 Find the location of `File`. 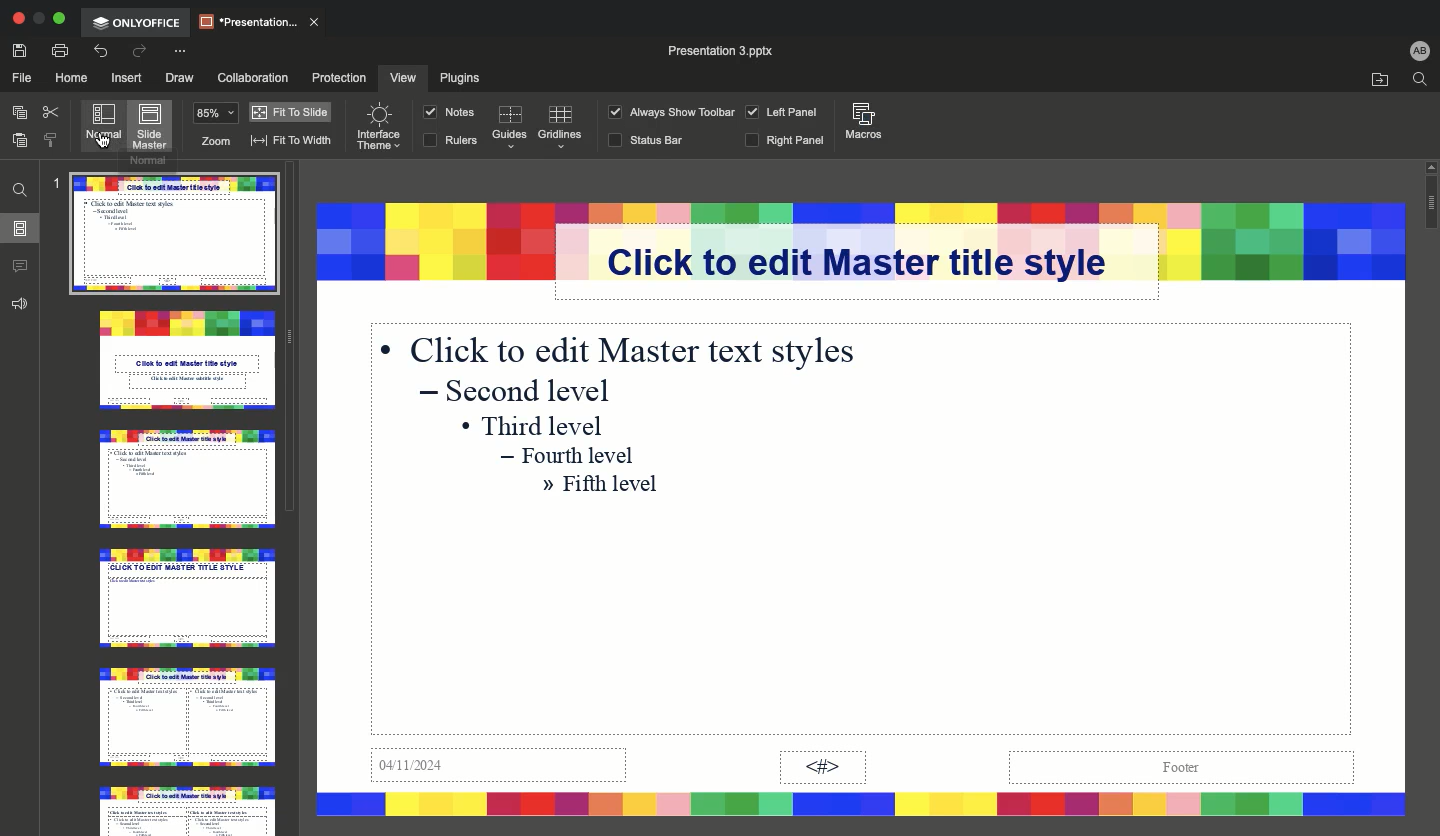

File is located at coordinates (19, 76).